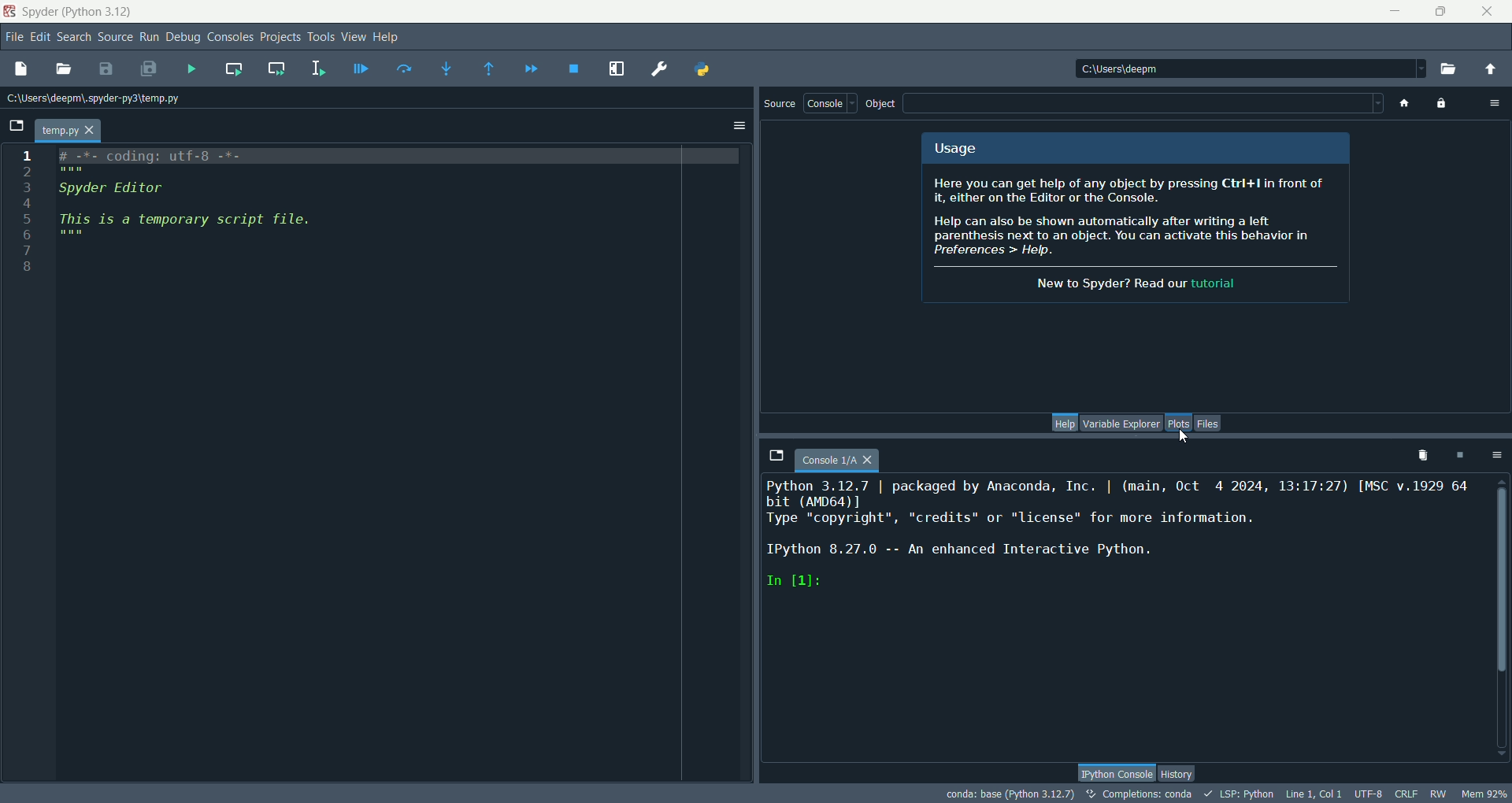 The image size is (1512, 803). What do you see at coordinates (78, 13) in the screenshot?
I see `spyder` at bounding box center [78, 13].